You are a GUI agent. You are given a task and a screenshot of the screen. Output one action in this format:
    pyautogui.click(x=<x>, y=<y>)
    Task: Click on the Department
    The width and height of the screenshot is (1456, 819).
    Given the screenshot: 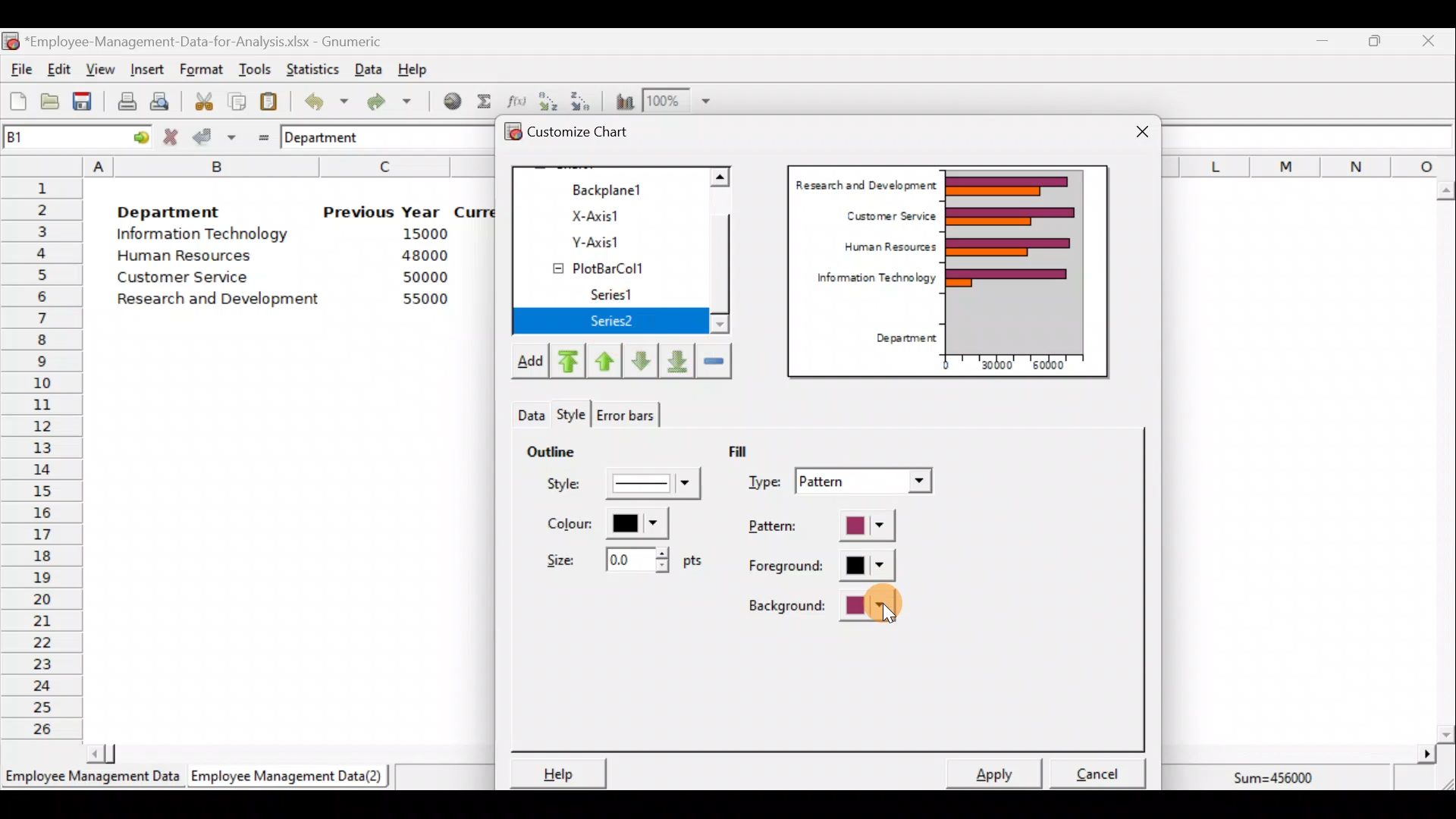 What is the action you would take?
    pyautogui.click(x=331, y=136)
    